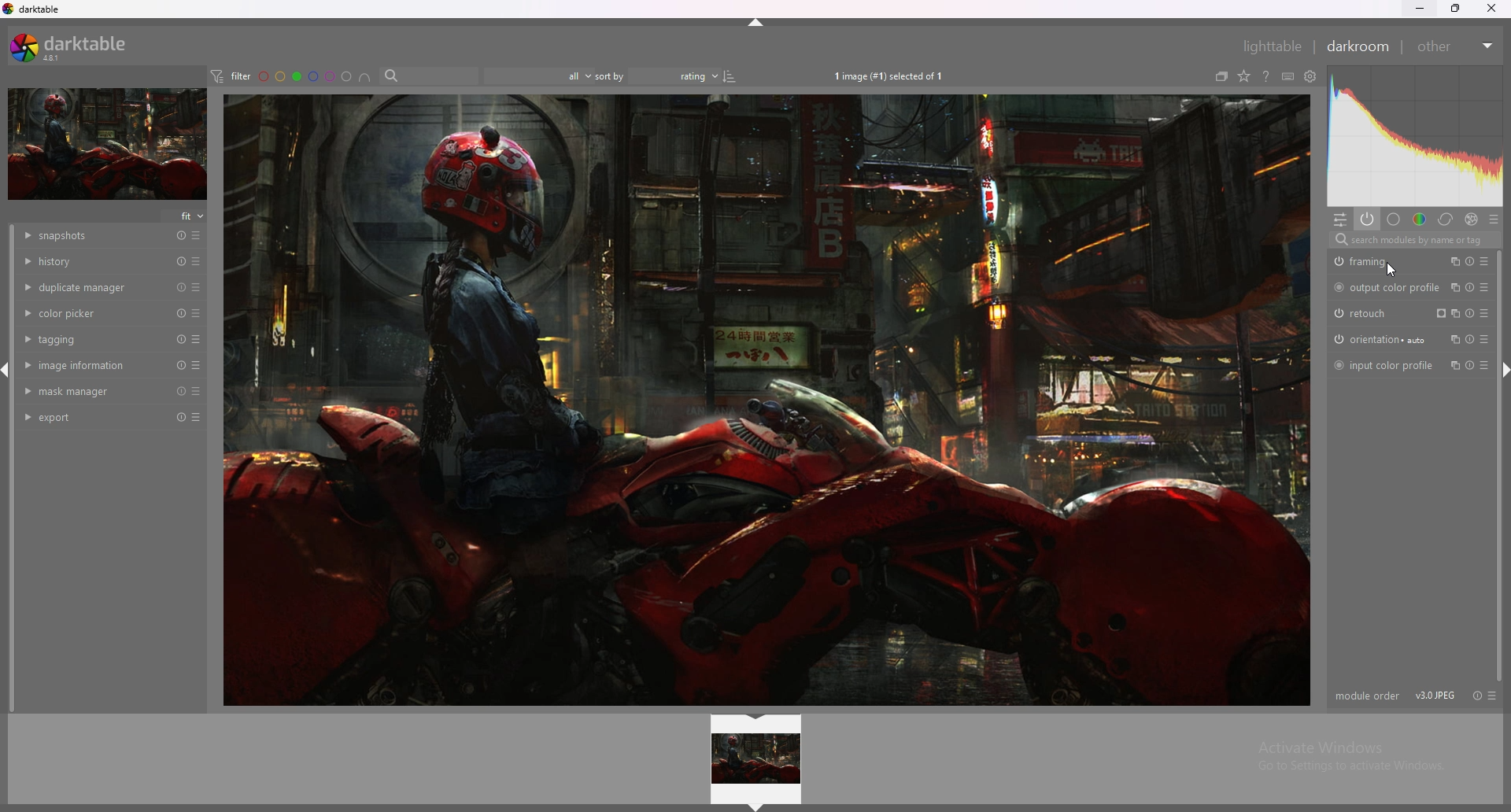 The width and height of the screenshot is (1511, 812). I want to click on multiple instances action, so click(1456, 365).